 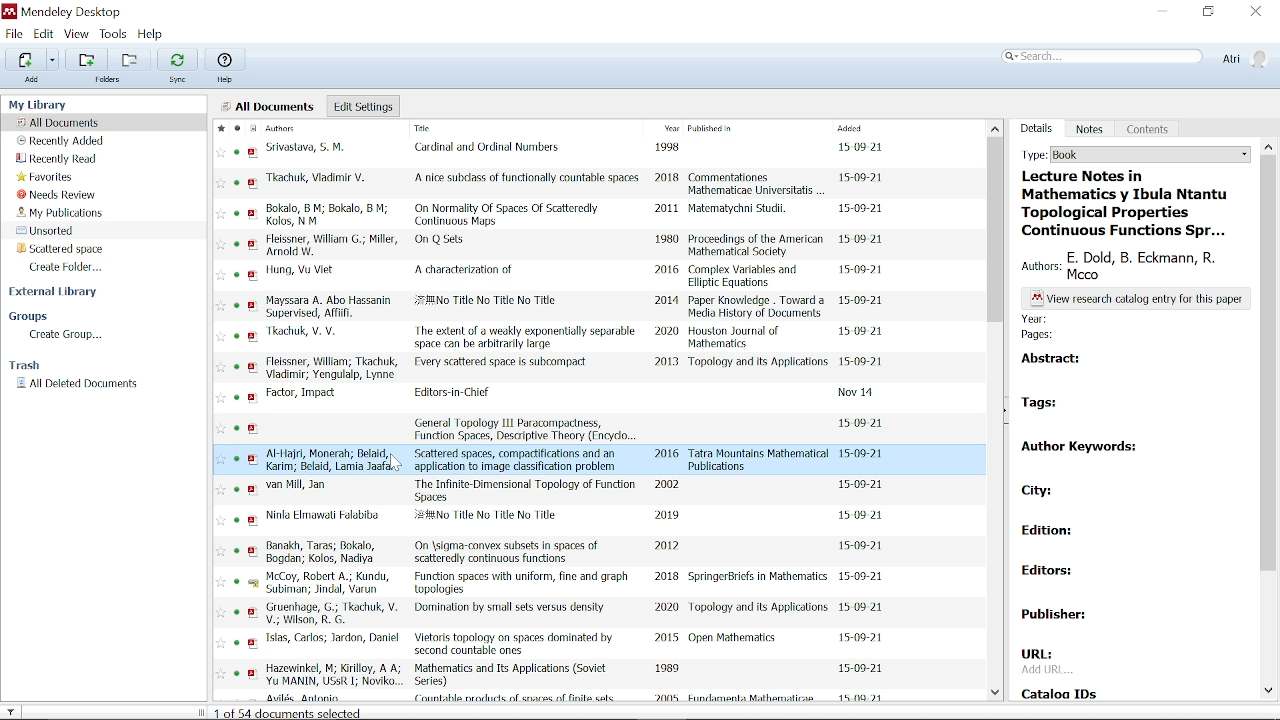 What do you see at coordinates (236, 128) in the screenshot?
I see `Mark as read / unread` at bounding box center [236, 128].